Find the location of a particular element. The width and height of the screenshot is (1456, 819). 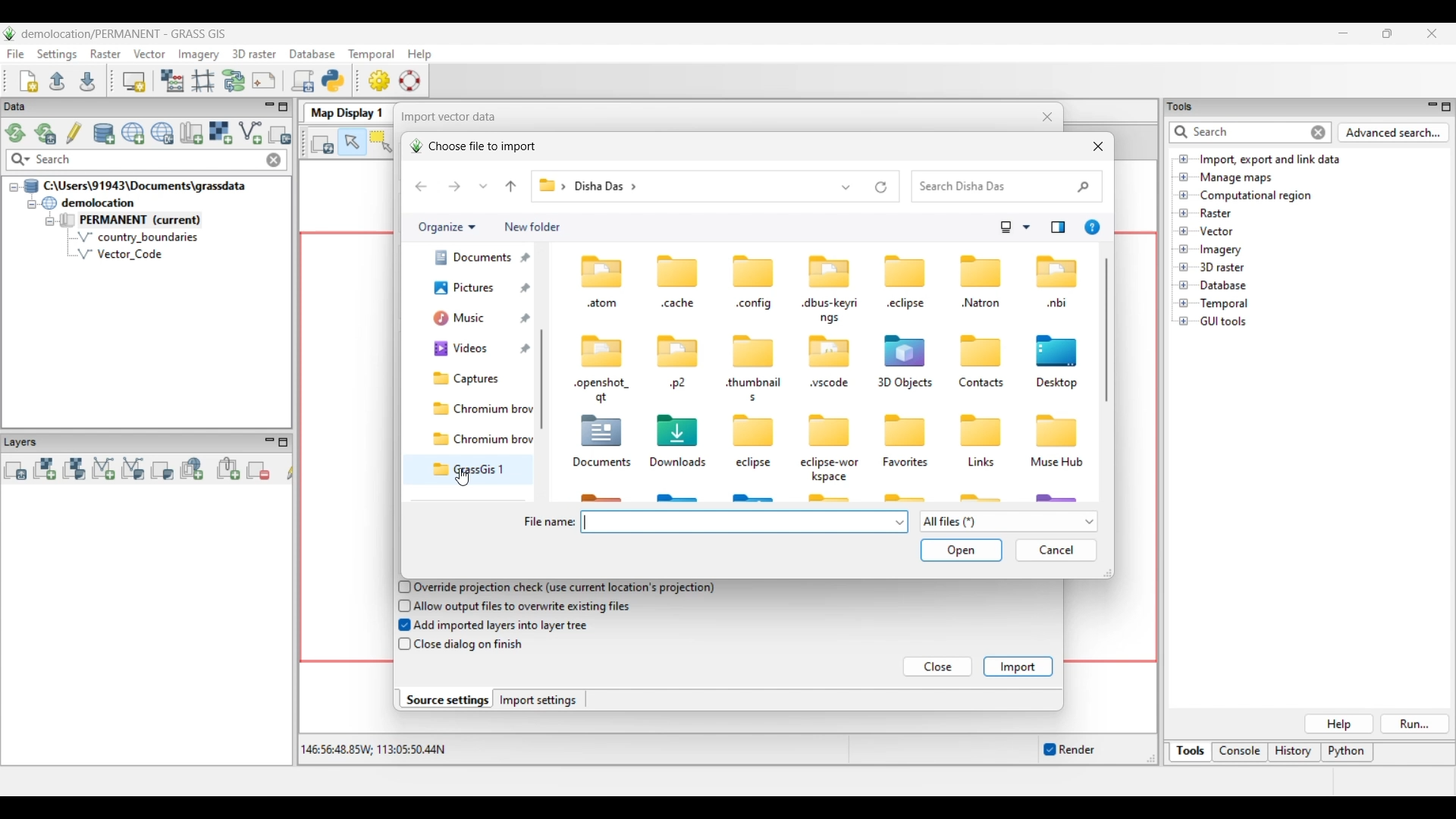

GrassGis 1 folder is located at coordinates (479, 469).